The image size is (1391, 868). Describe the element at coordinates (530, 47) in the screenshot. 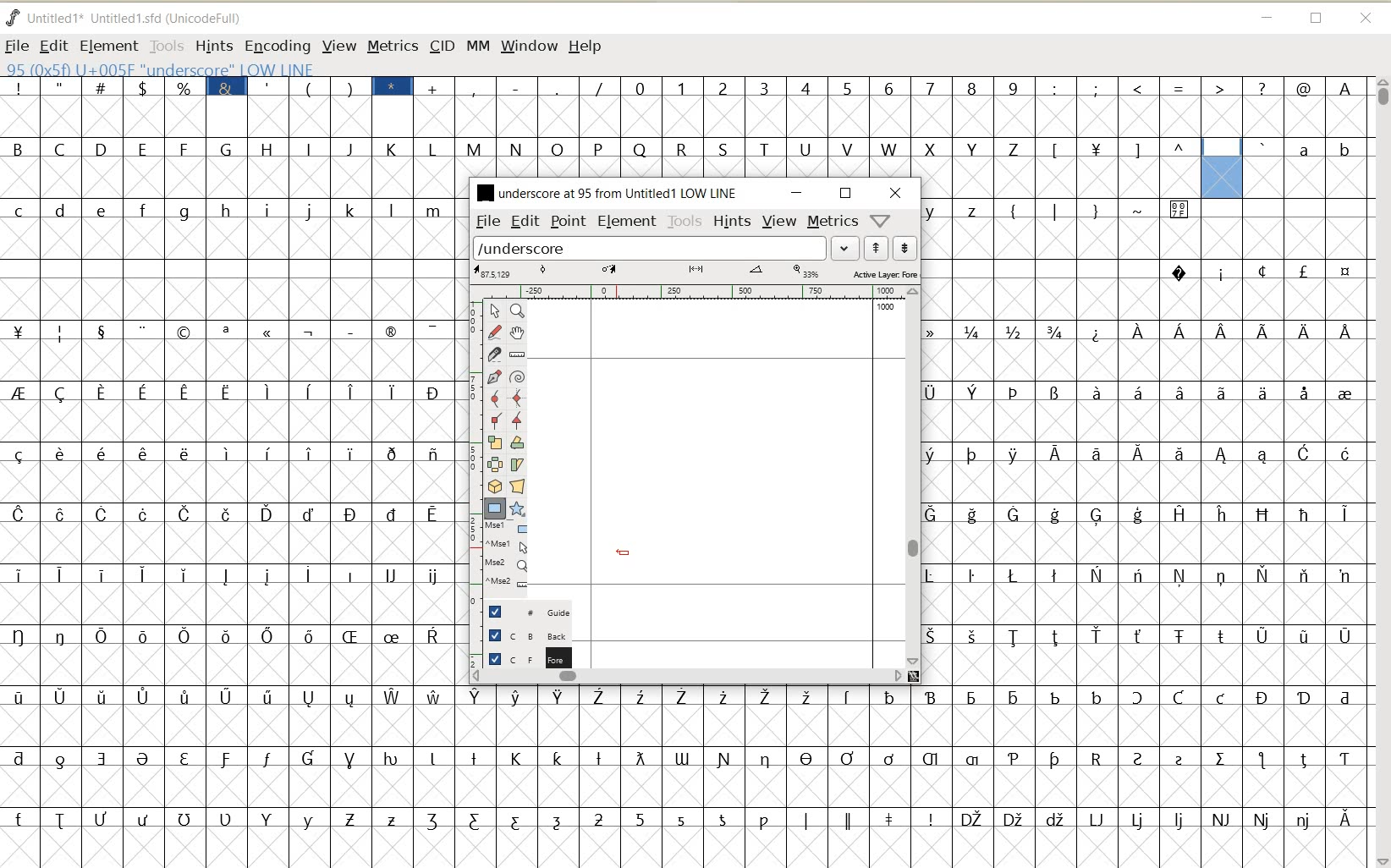

I see `WINDOW` at that location.